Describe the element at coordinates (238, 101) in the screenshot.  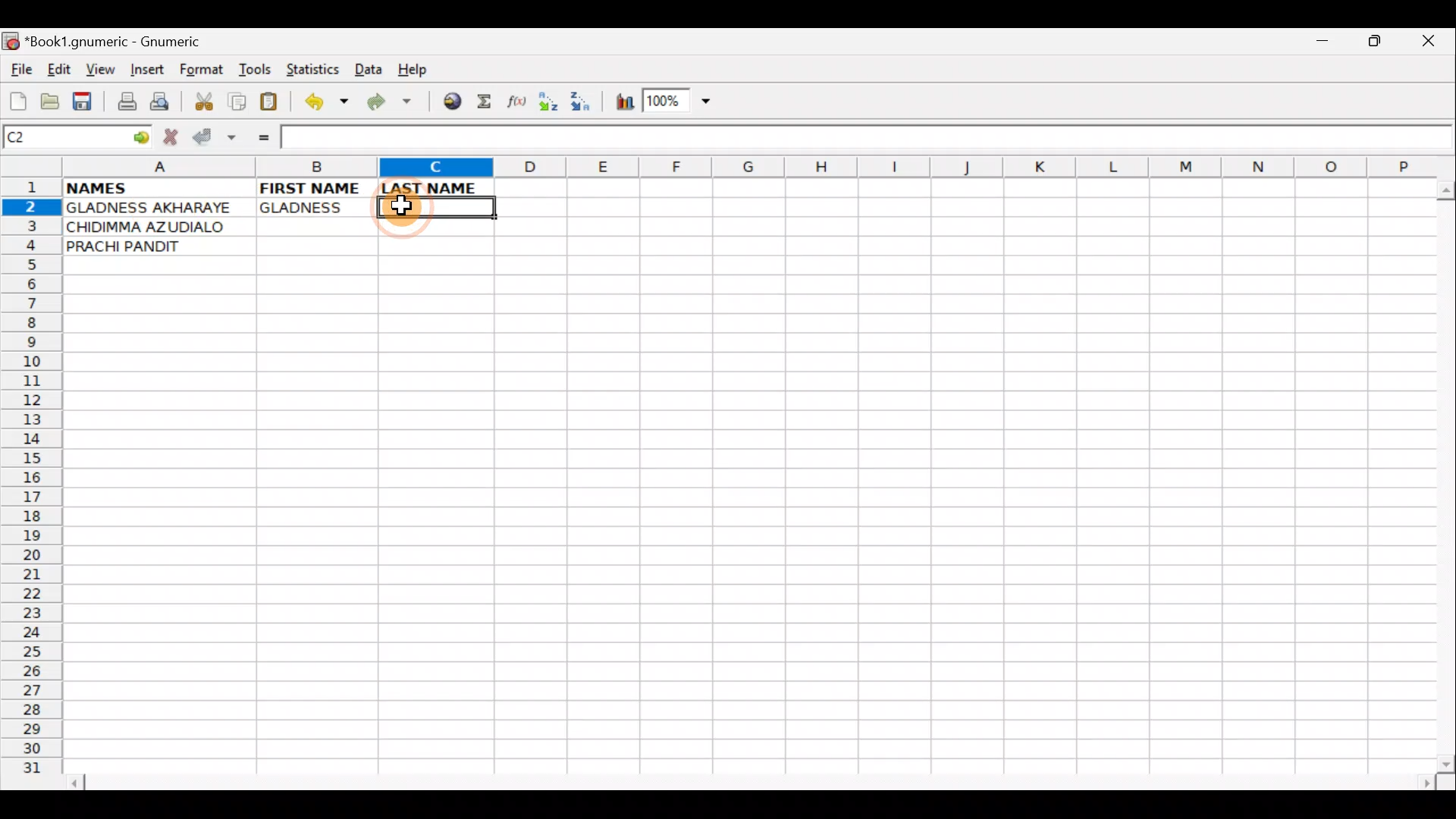
I see `Copy selection` at that location.